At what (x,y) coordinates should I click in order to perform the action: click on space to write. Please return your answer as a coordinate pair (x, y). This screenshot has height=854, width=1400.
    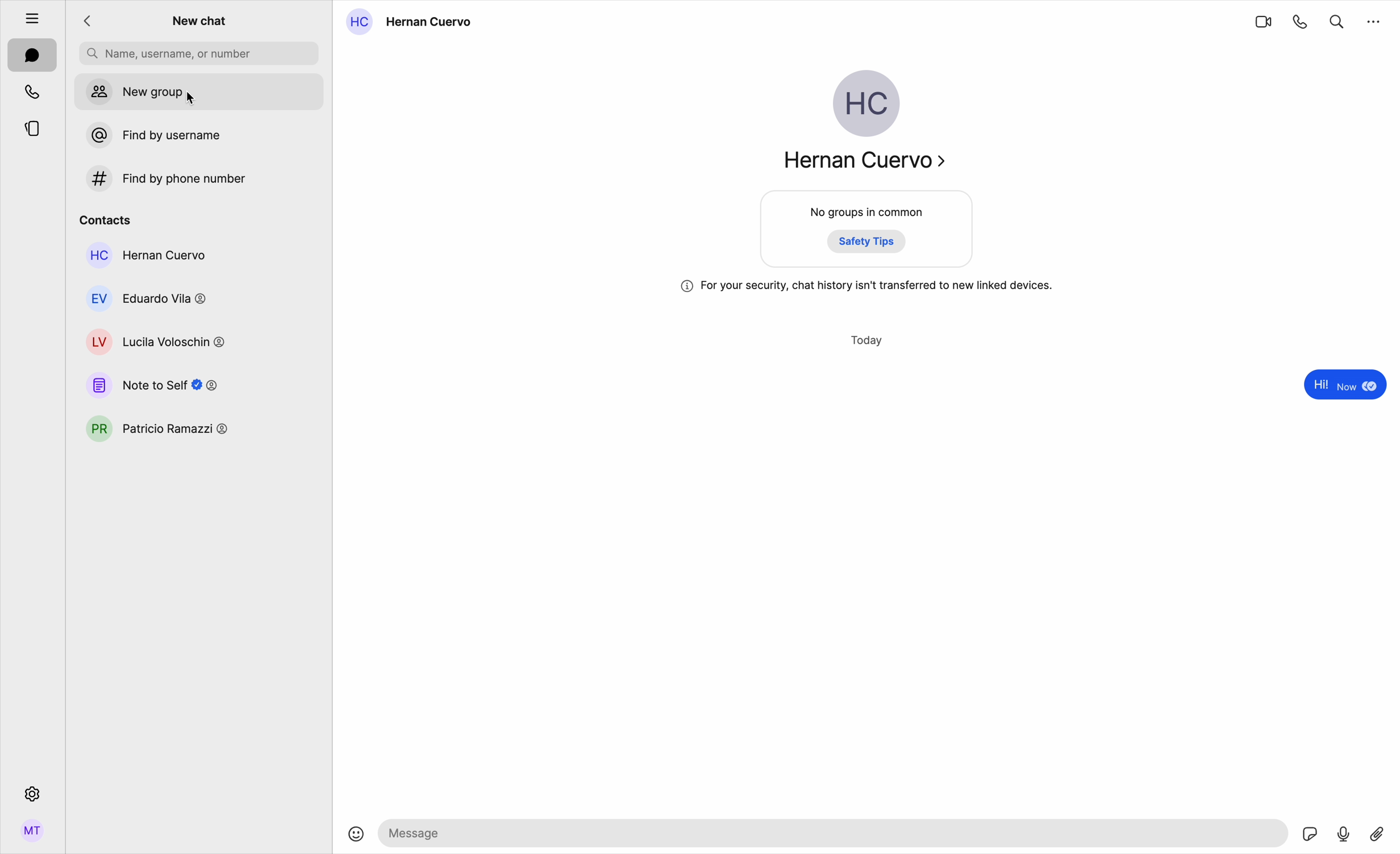
    Looking at the image, I should click on (836, 832).